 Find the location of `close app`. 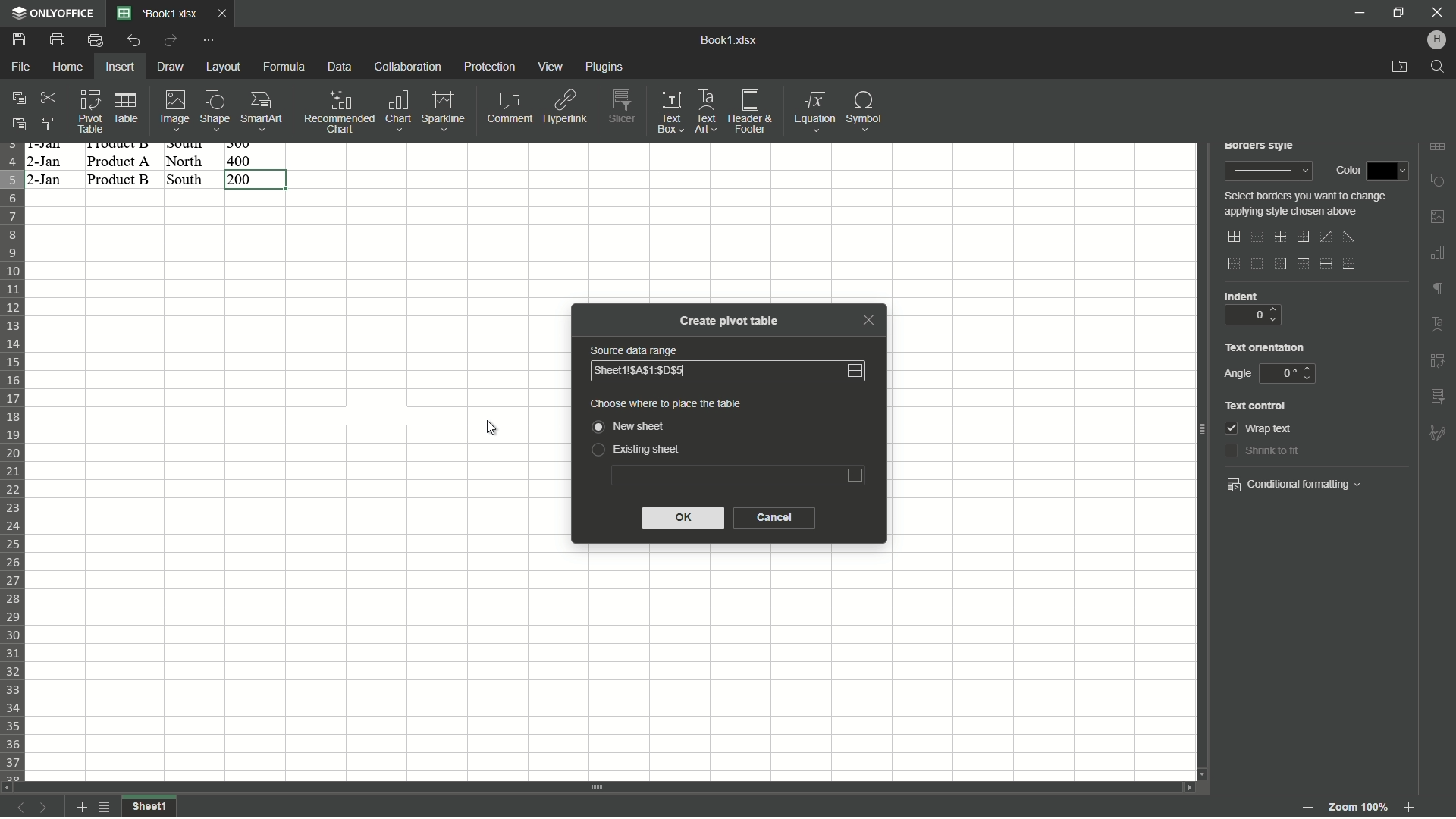

close app is located at coordinates (1437, 13).